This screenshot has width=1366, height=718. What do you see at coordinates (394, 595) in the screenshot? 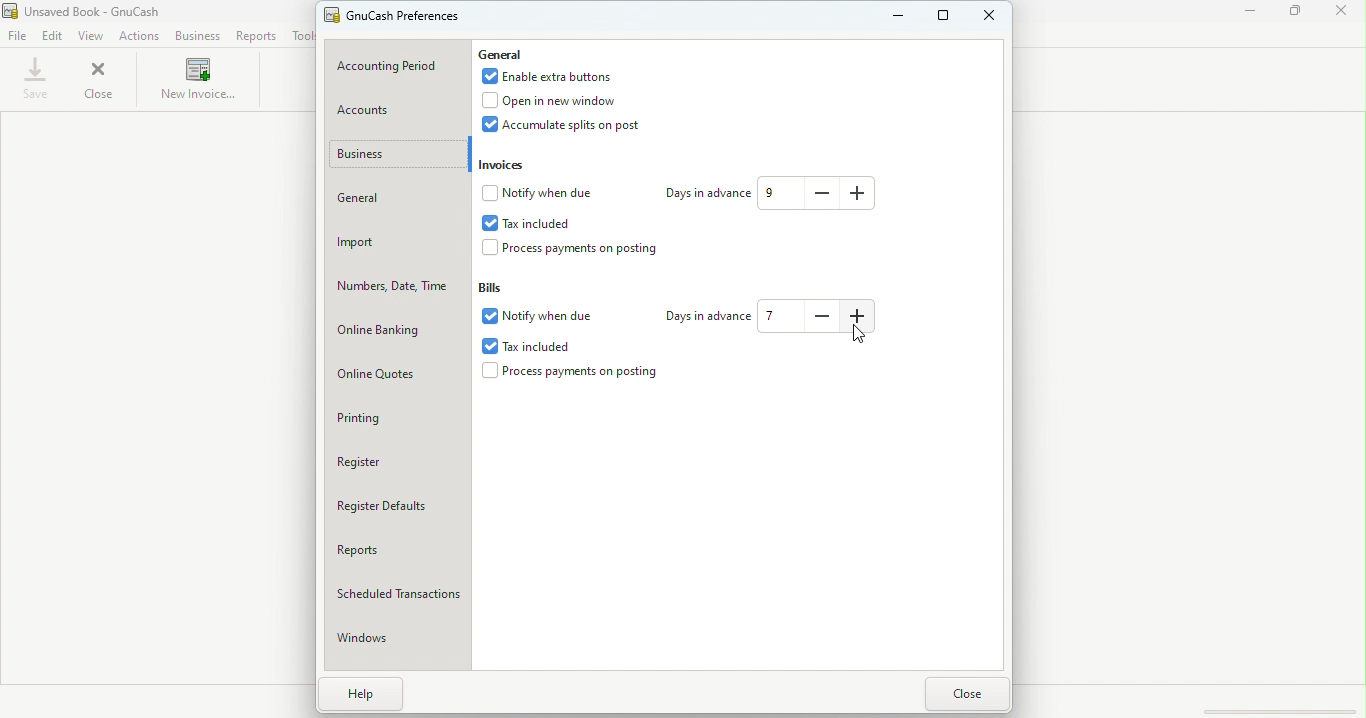
I see `Scheduled transactions` at bounding box center [394, 595].